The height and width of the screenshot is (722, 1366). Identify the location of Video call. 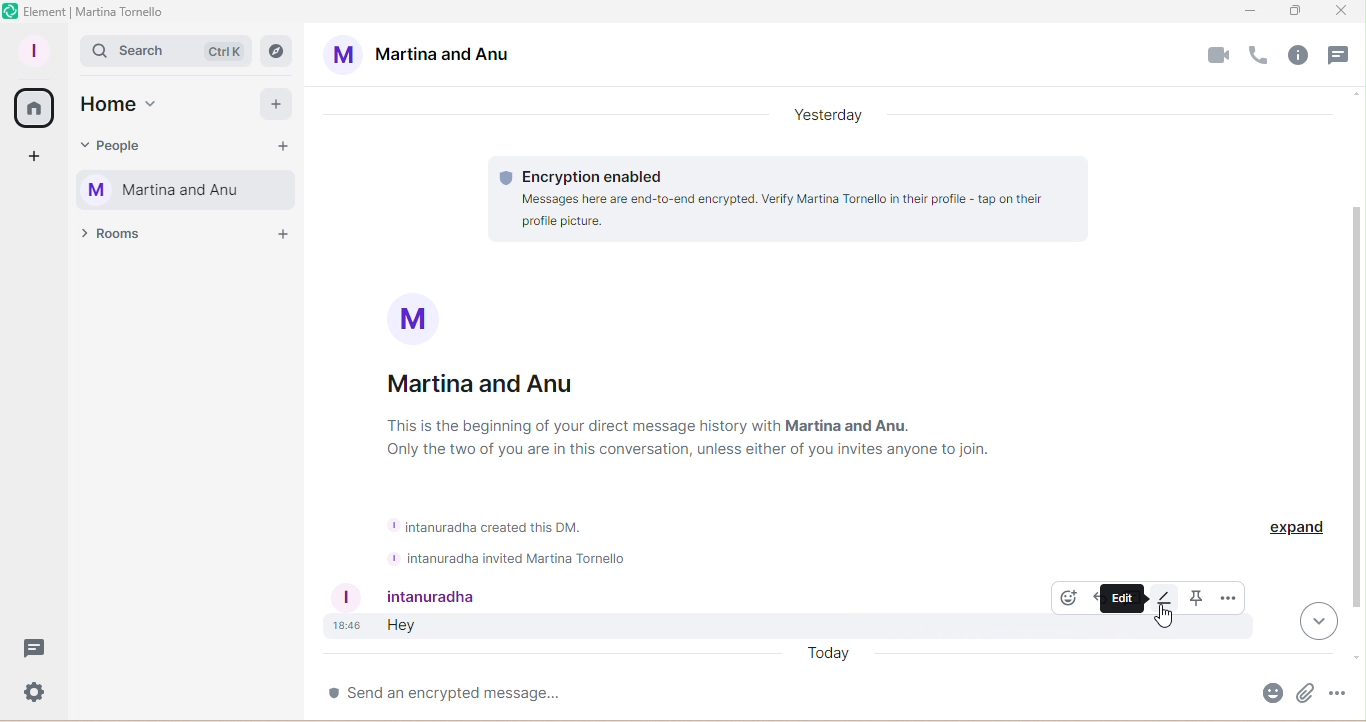
(1217, 58).